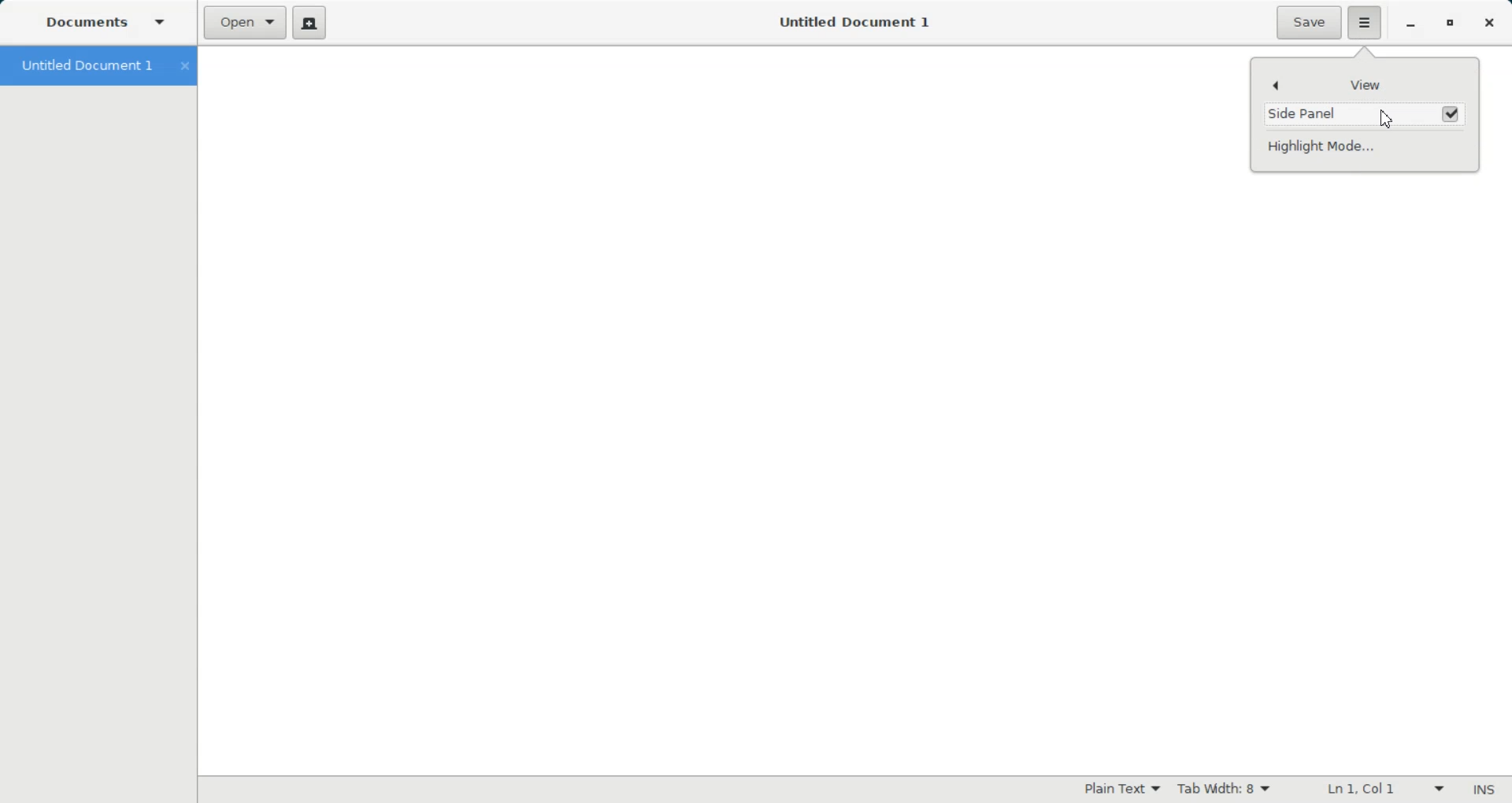  I want to click on Maximize, so click(1451, 23).